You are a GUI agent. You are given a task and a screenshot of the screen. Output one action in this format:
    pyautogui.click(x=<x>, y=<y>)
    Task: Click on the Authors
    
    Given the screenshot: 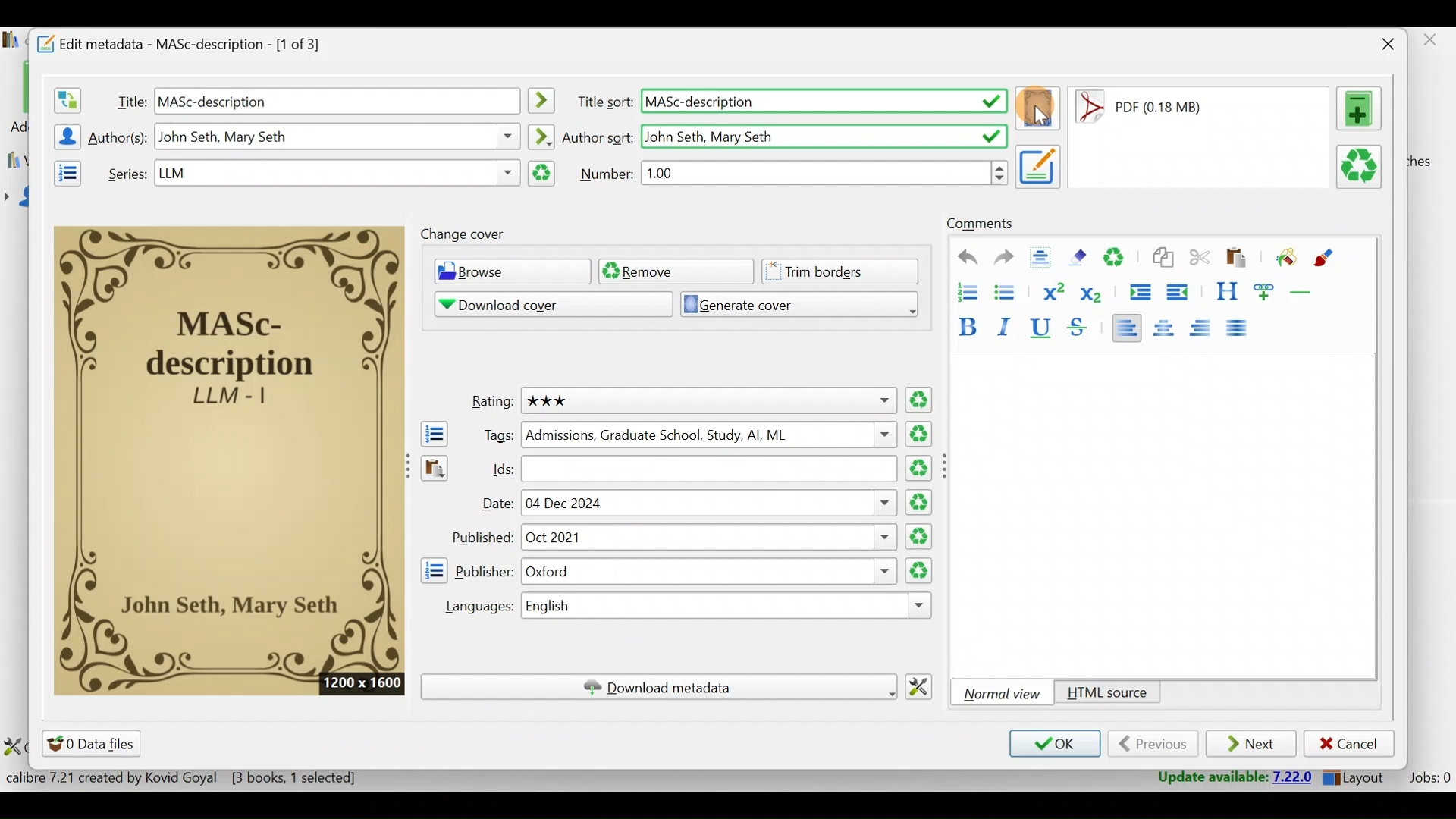 What is the action you would take?
    pyautogui.click(x=120, y=138)
    